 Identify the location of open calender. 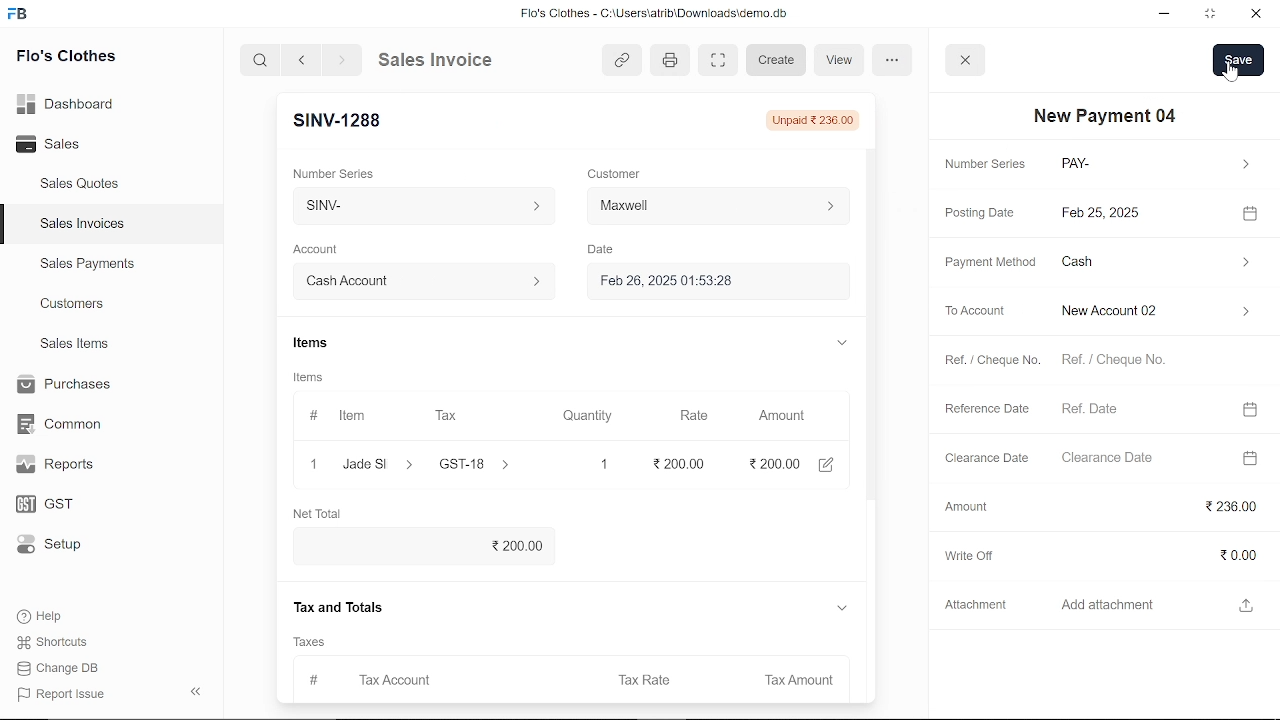
(1250, 212).